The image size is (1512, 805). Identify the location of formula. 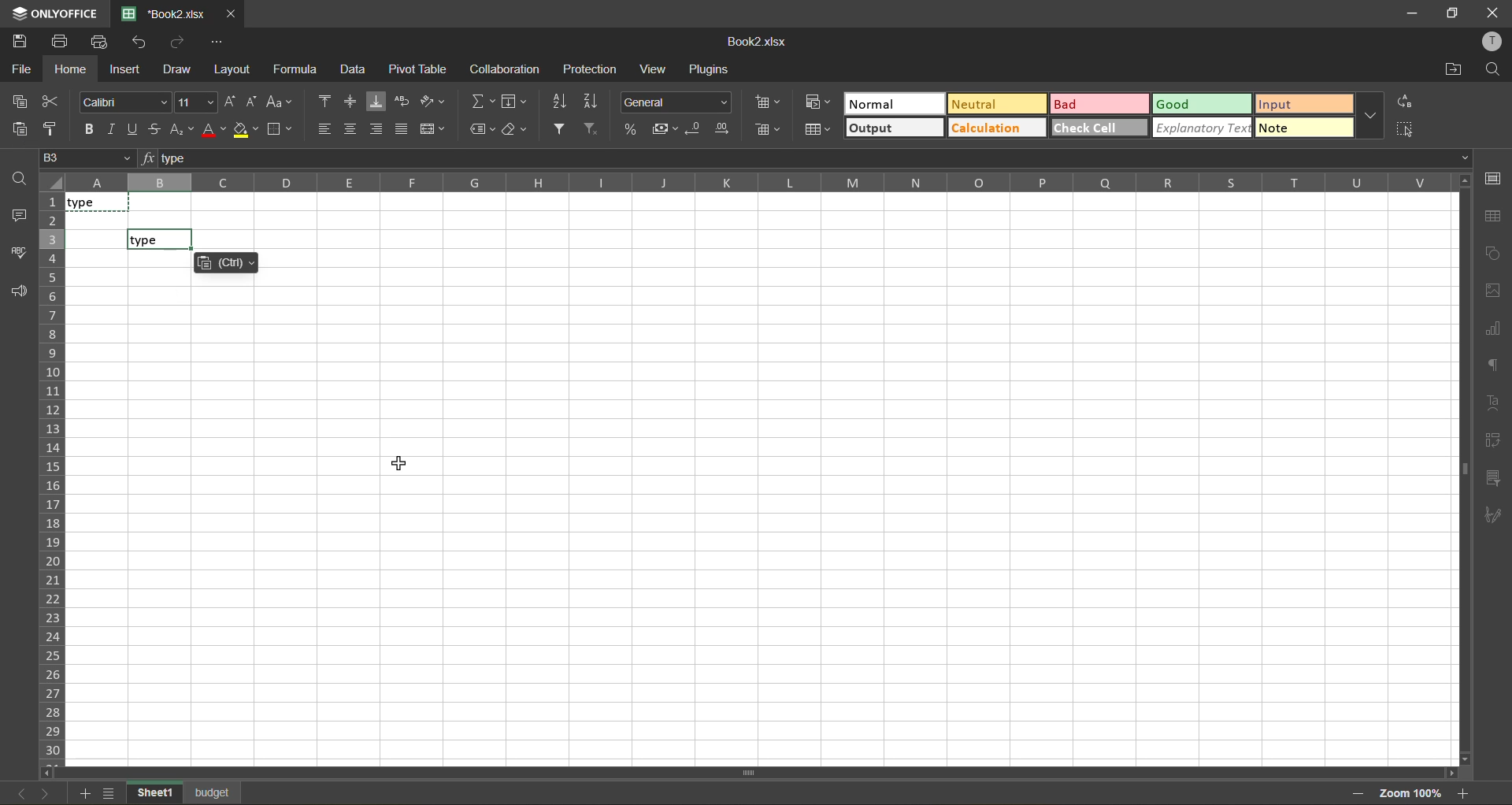
(294, 69).